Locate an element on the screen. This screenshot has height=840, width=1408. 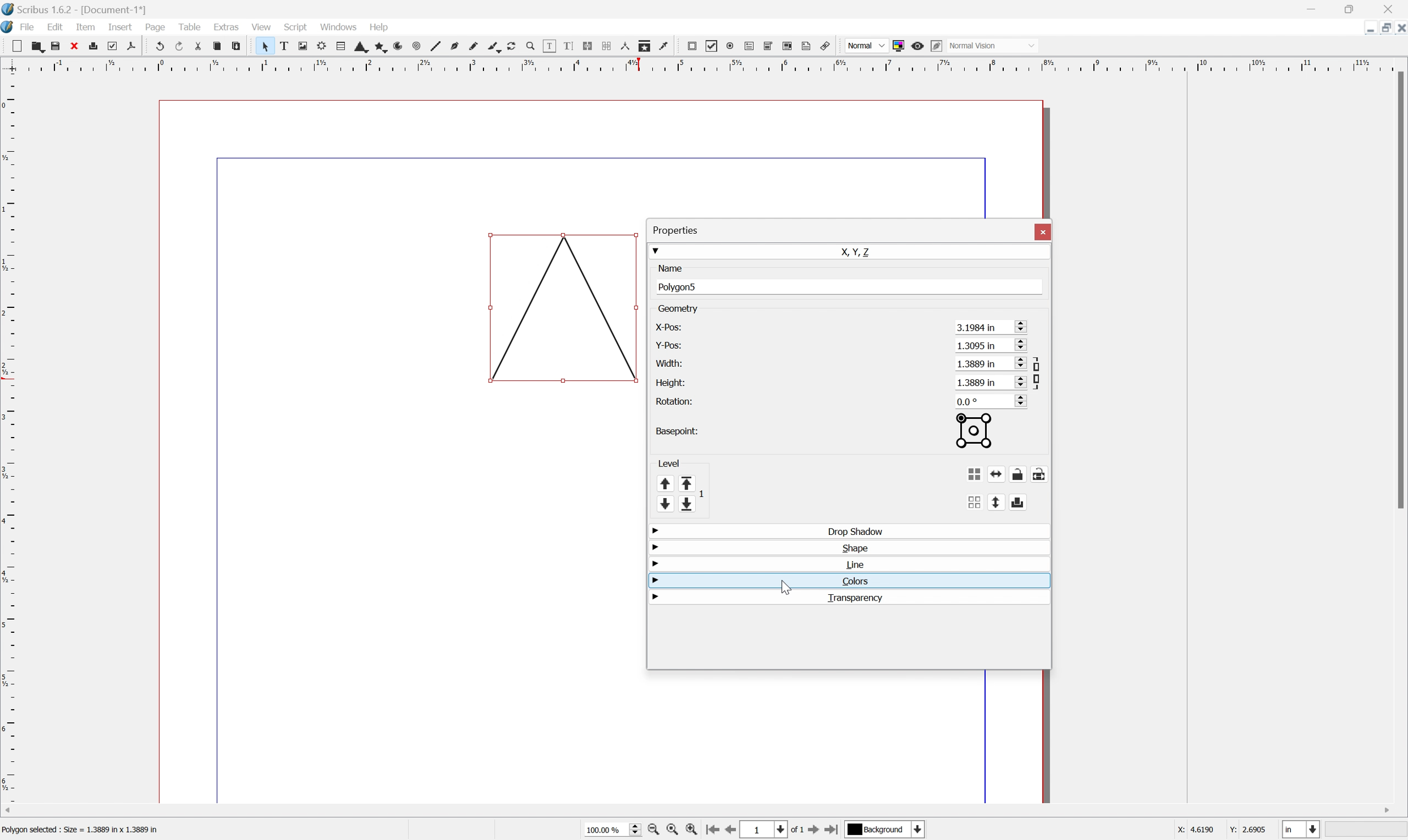
Colors is located at coordinates (854, 581).